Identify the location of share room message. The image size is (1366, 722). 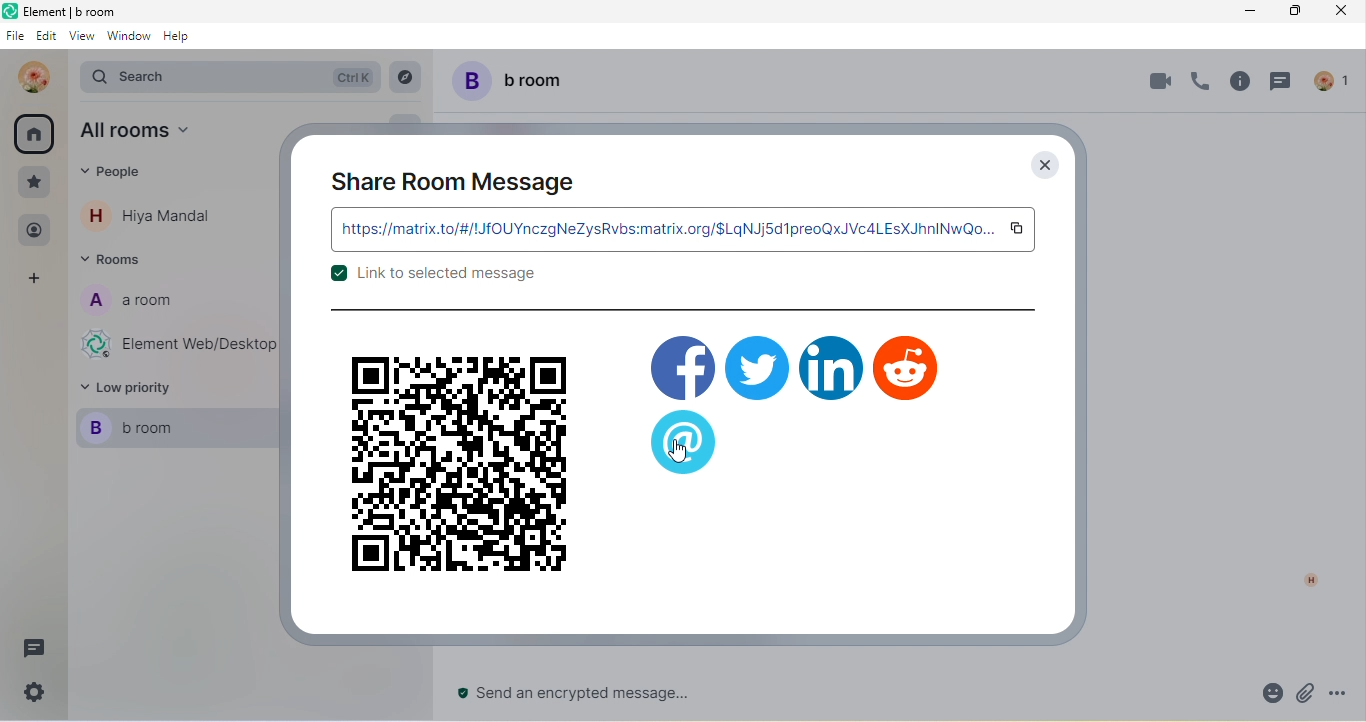
(455, 181).